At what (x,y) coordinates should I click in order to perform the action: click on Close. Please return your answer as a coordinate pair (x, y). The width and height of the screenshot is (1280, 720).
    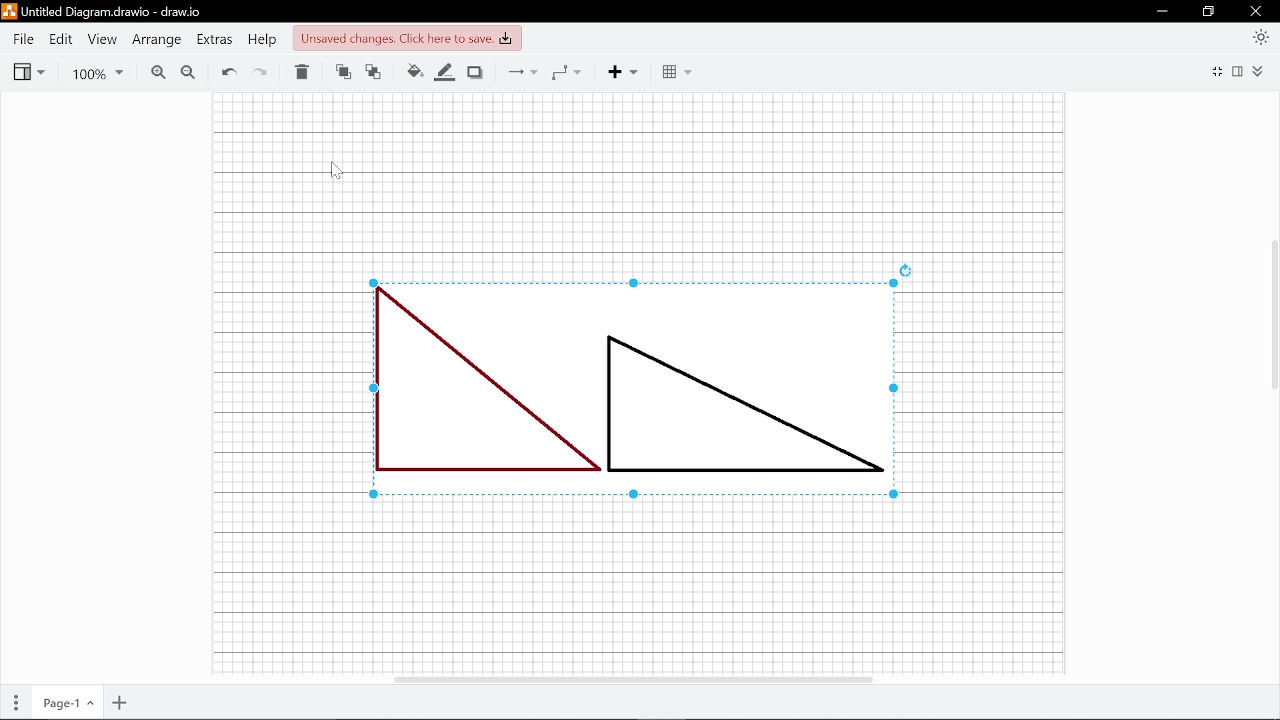
    Looking at the image, I should click on (1255, 11).